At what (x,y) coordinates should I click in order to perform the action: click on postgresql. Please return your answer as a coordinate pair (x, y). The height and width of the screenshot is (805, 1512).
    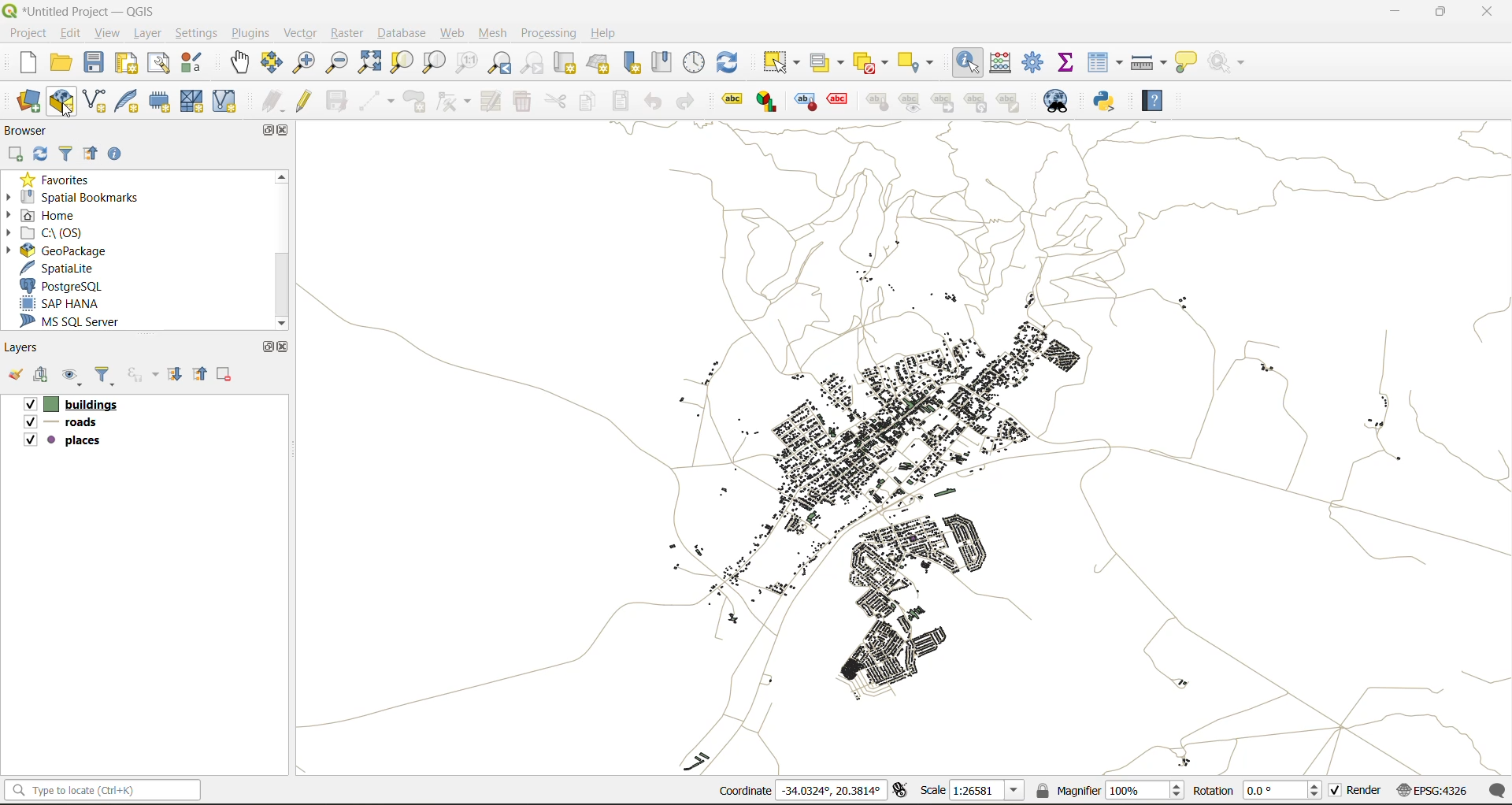
    Looking at the image, I should click on (73, 286).